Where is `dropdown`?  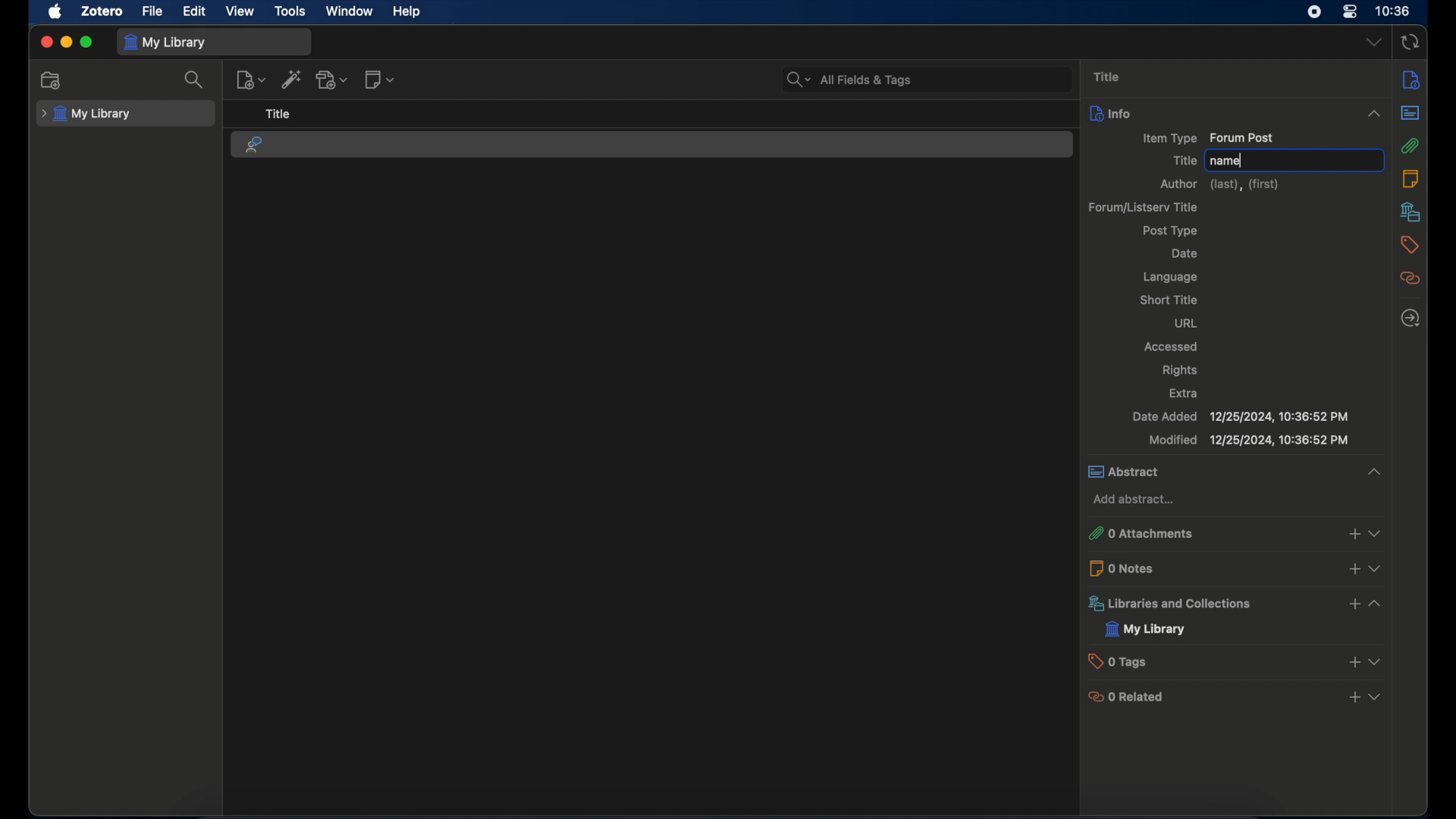 dropdown is located at coordinates (1373, 42).